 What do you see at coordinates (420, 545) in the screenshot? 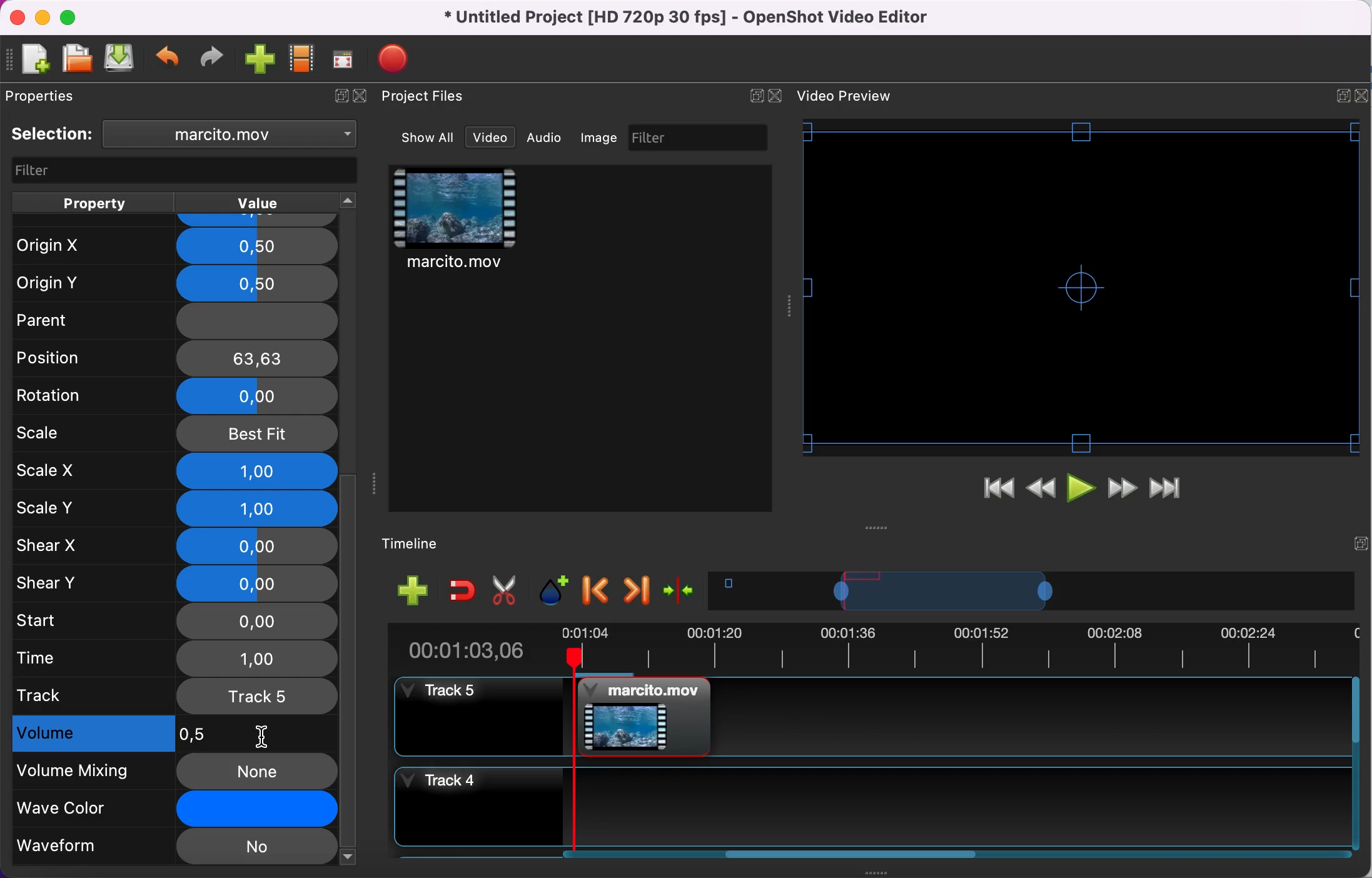
I see `timeline` at bounding box center [420, 545].